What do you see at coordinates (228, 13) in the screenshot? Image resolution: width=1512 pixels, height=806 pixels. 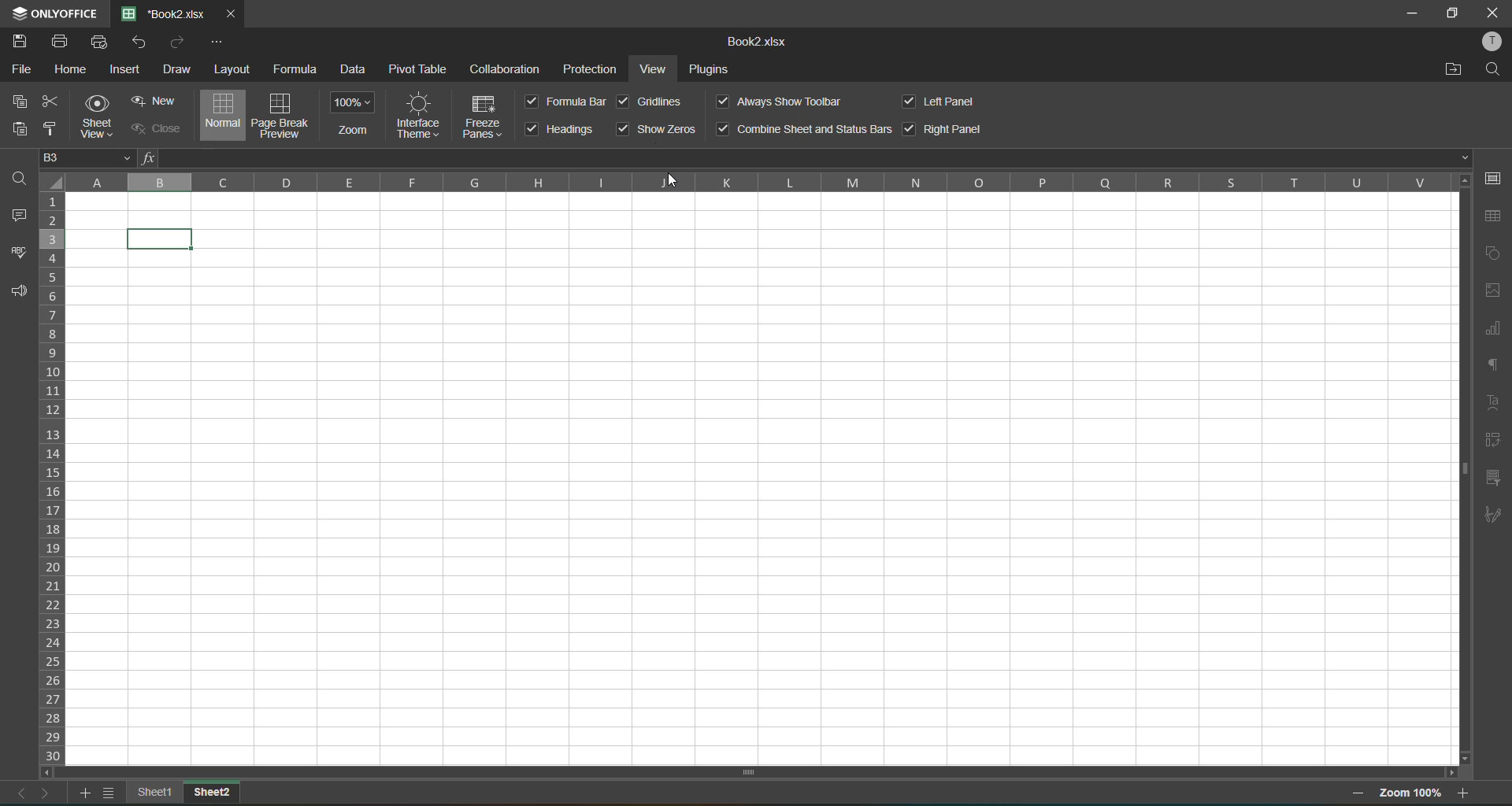 I see `close tab` at bounding box center [228, 13].